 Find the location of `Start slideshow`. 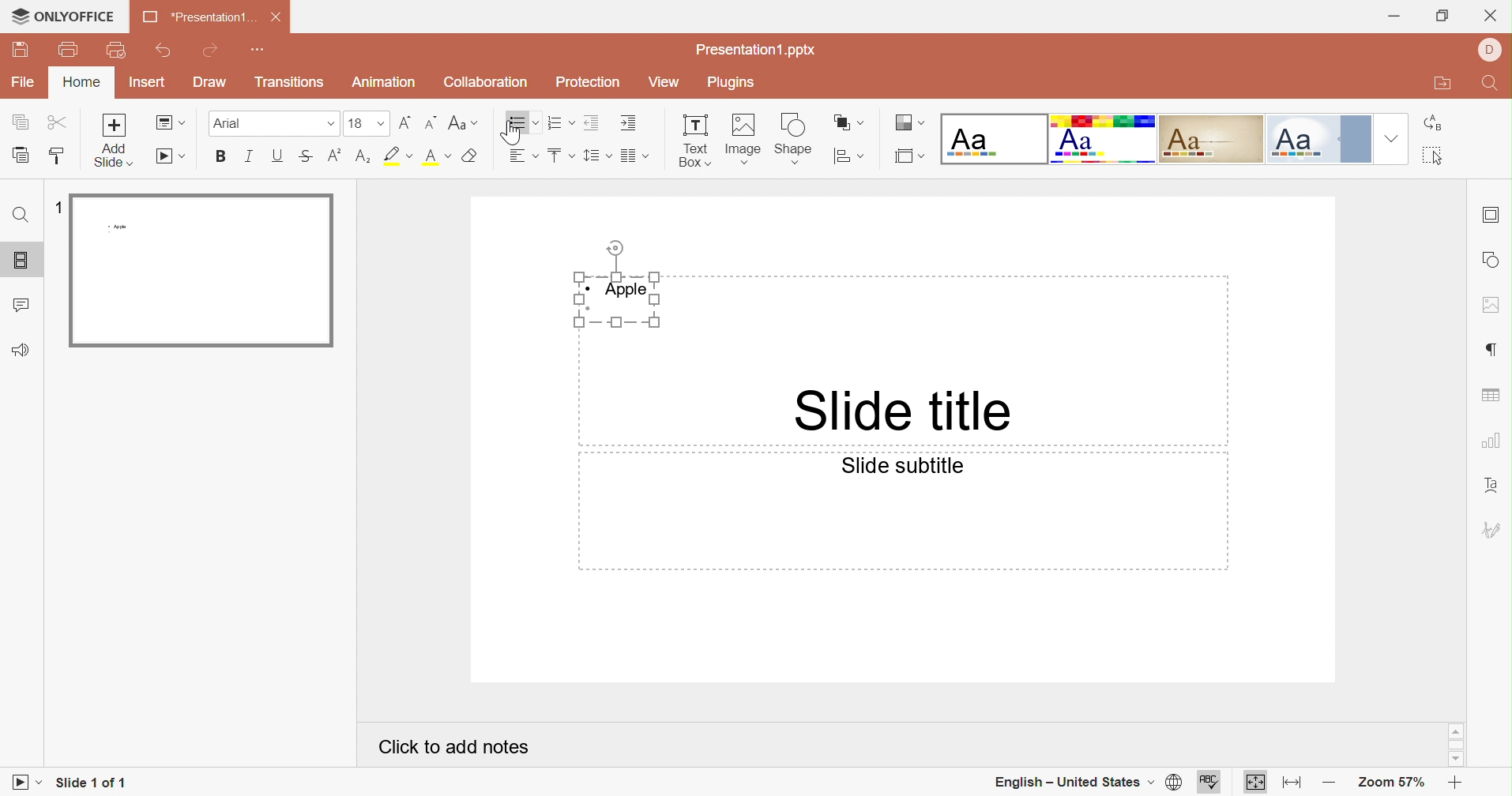

Start slideshow is located at coordinates (23, 785).